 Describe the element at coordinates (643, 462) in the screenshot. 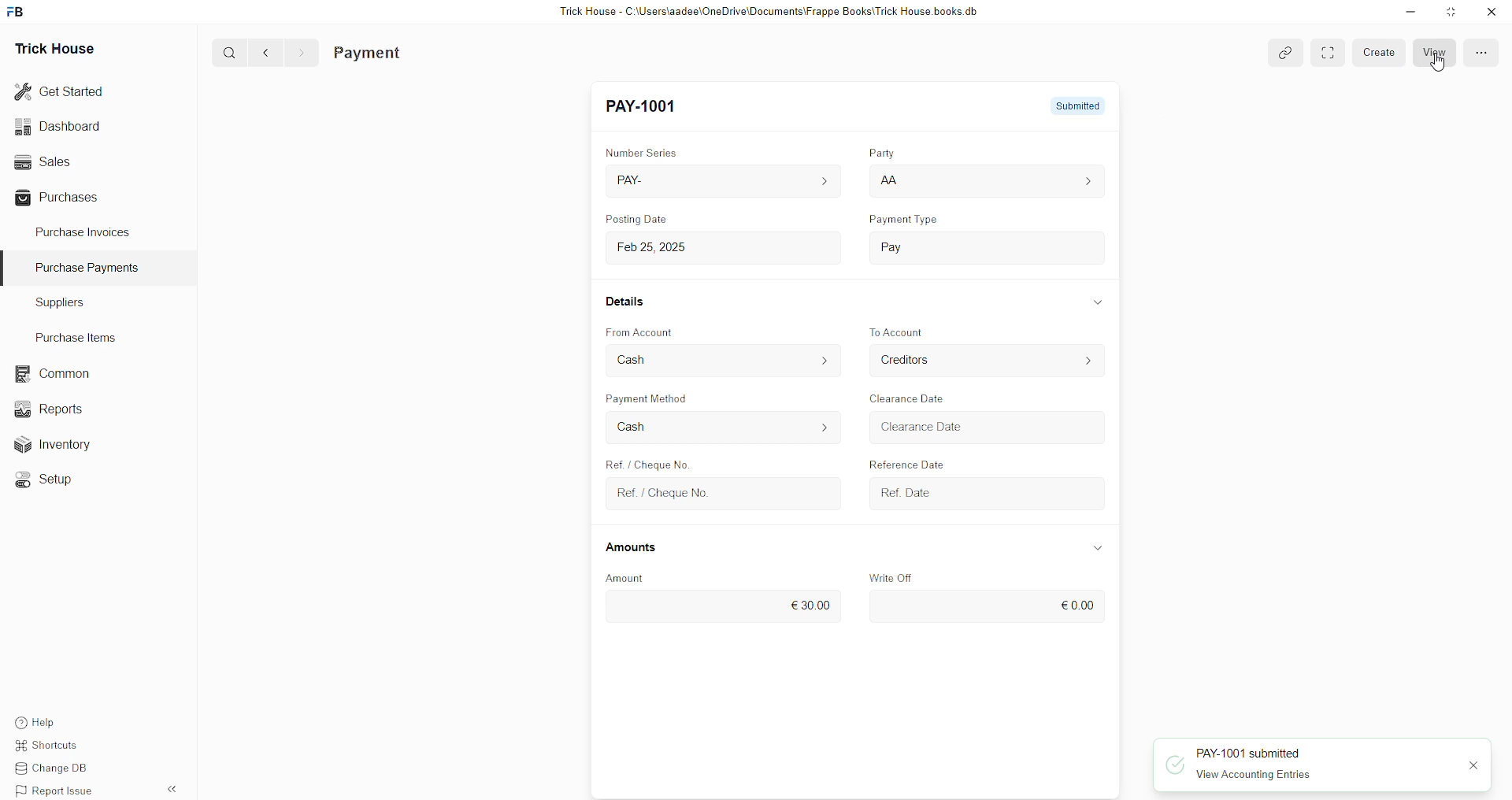

I see `Ref. / Cheque No.` at that location.